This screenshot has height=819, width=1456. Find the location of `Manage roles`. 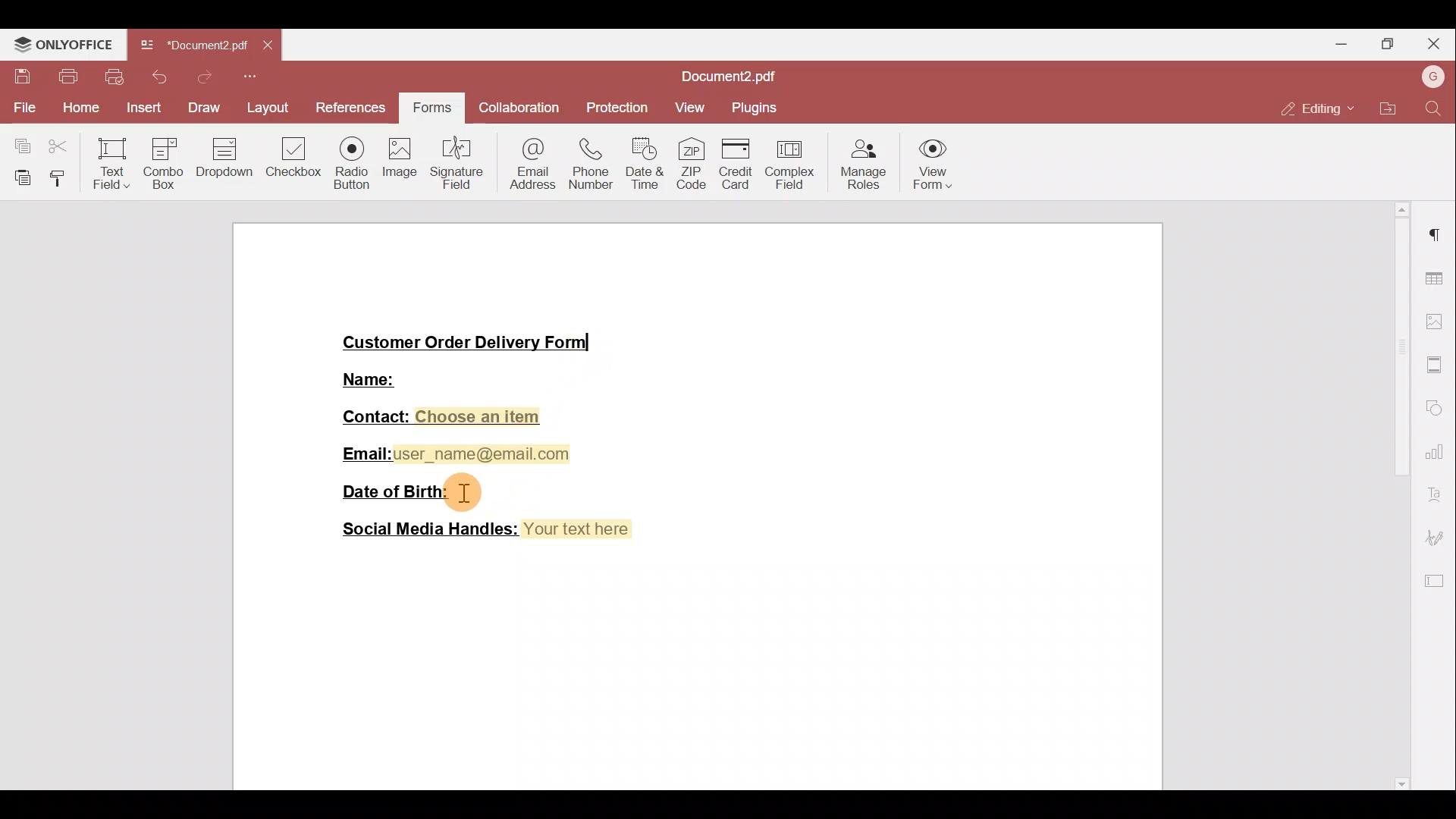

Manage roles is located at coordinates (864, 167).